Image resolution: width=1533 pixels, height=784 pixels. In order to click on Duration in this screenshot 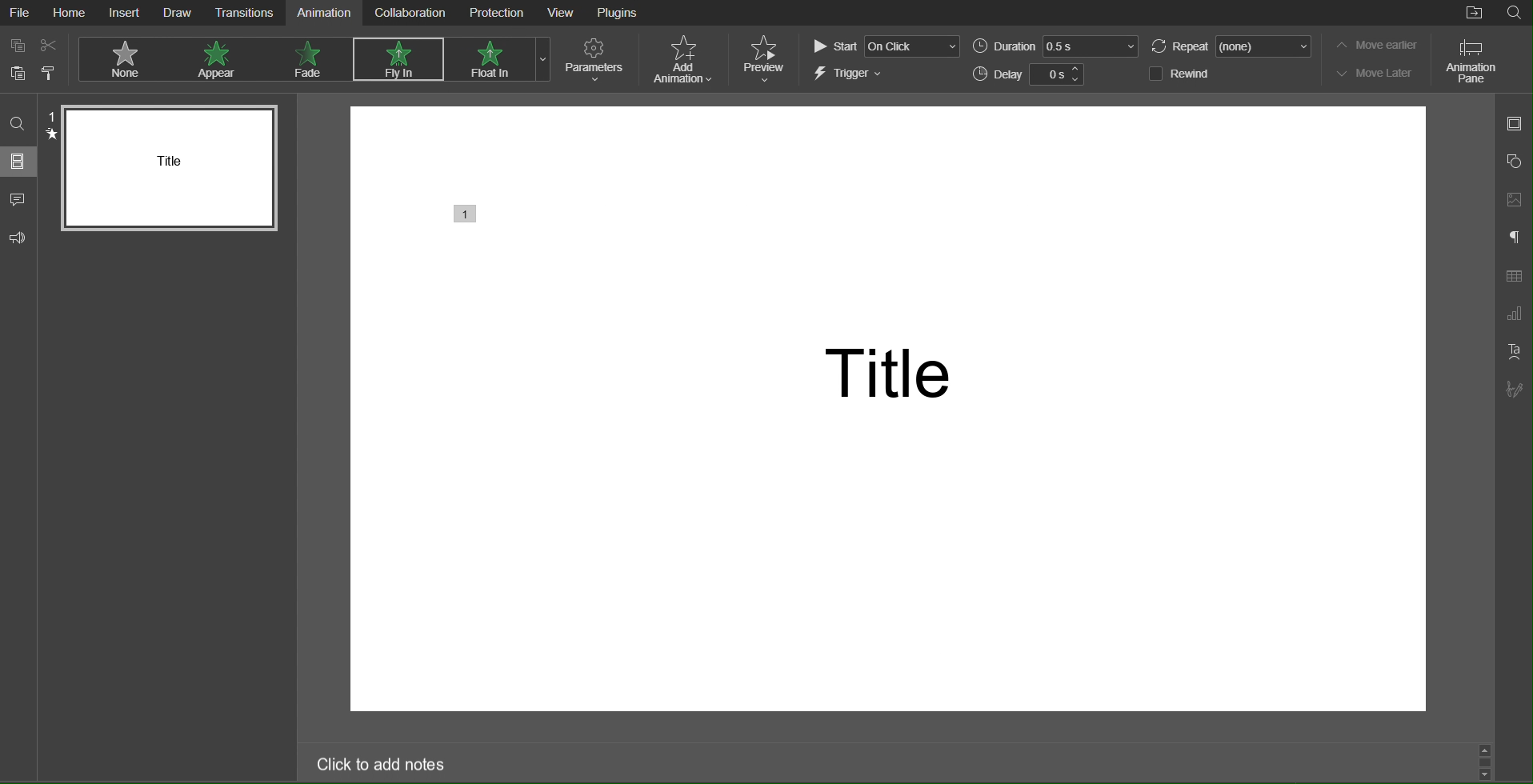, I will do `click(1053, 46)`.